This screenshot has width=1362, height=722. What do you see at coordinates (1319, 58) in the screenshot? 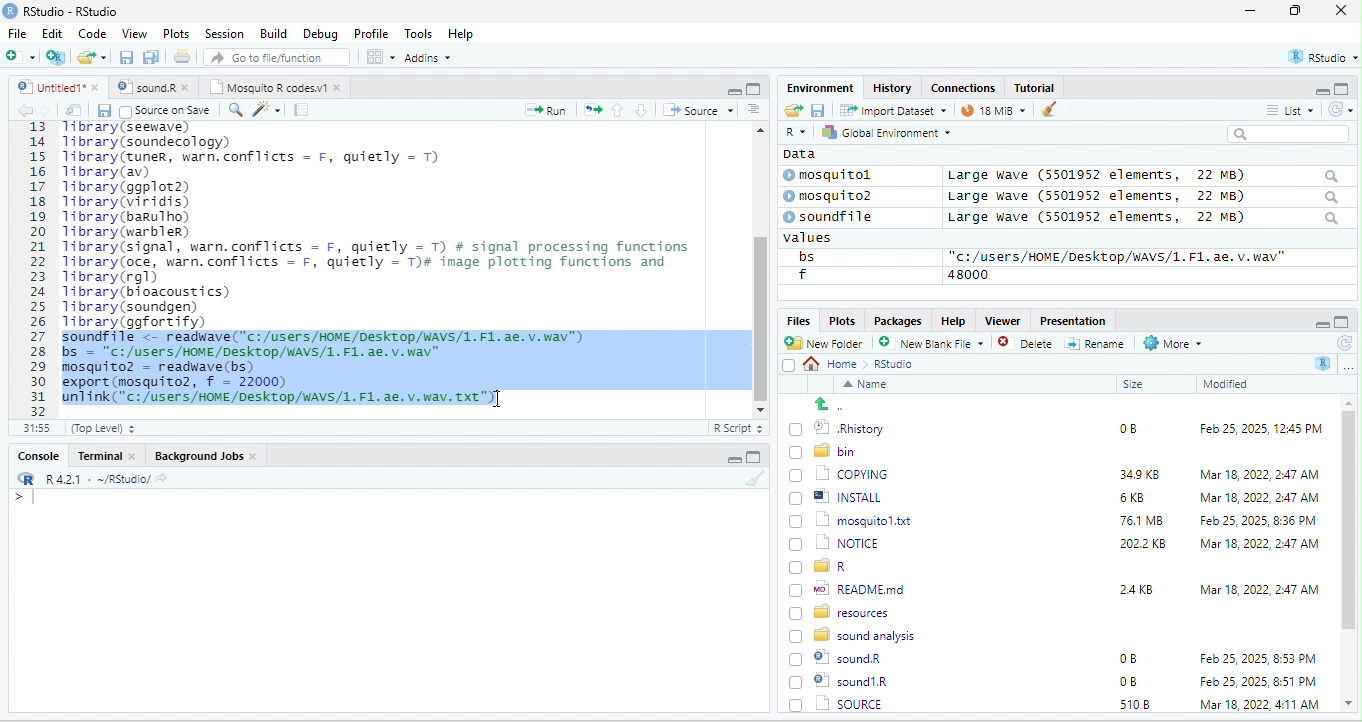
I see `rstudio` at bounding box center [1319, 58].